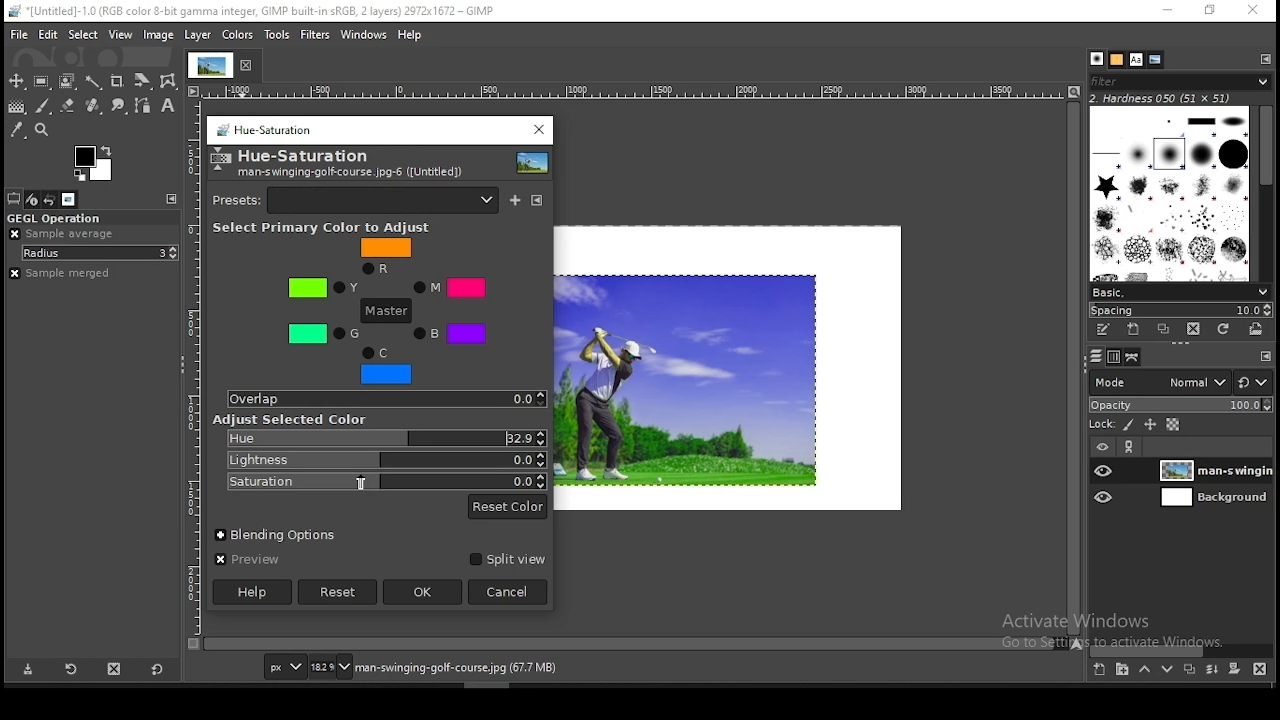 This screenshot has height=720, width=1280. Describe the element at coordinates (120, 35) in the screenshot. I see `view` at that location.